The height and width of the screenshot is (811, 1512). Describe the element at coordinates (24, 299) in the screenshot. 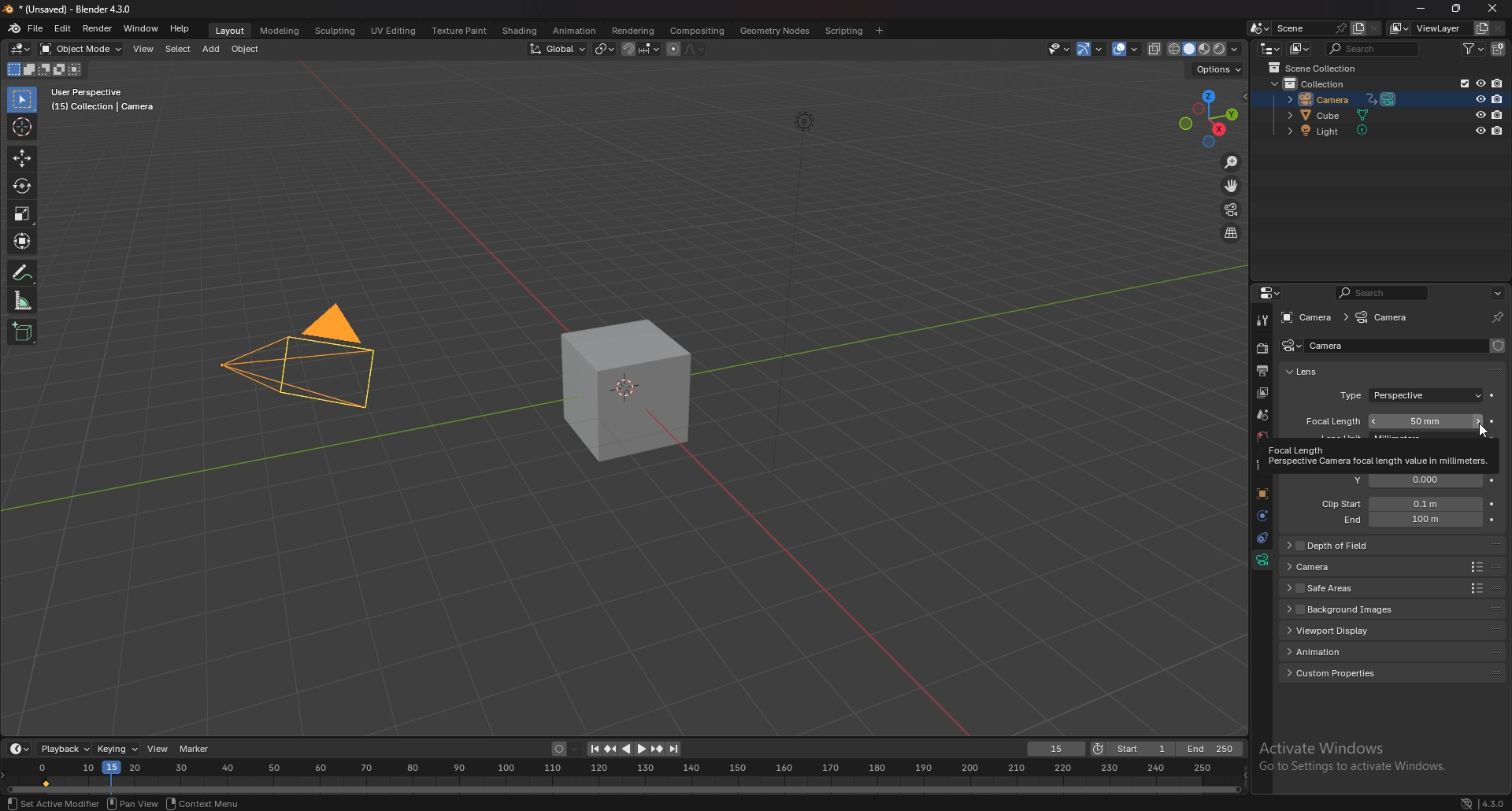

I see `measure` at that location.